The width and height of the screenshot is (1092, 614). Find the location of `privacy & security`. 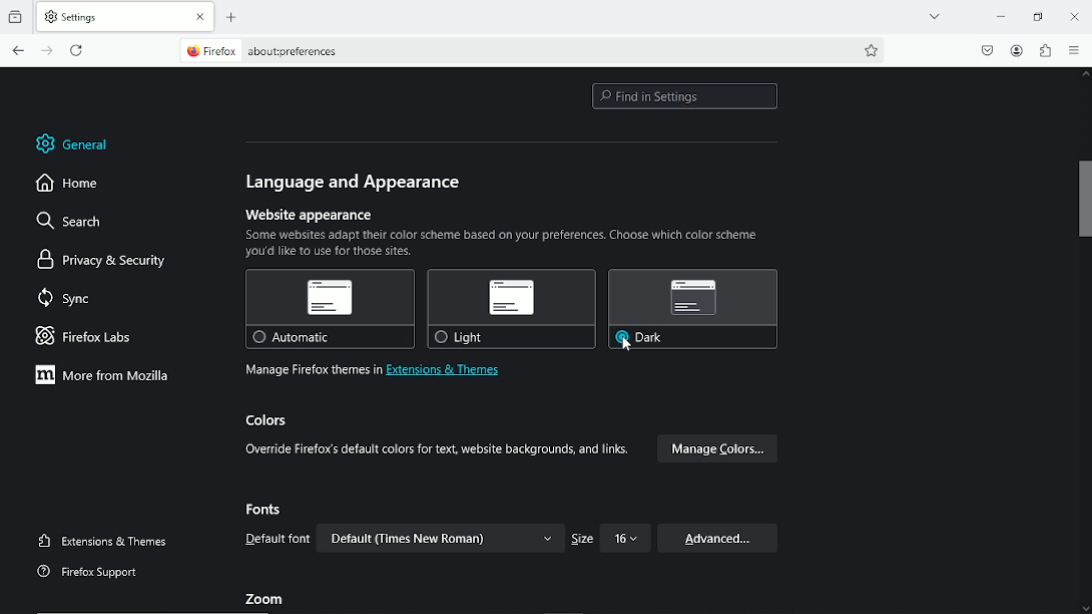

privacy & security is located at coordinates (100, 262).